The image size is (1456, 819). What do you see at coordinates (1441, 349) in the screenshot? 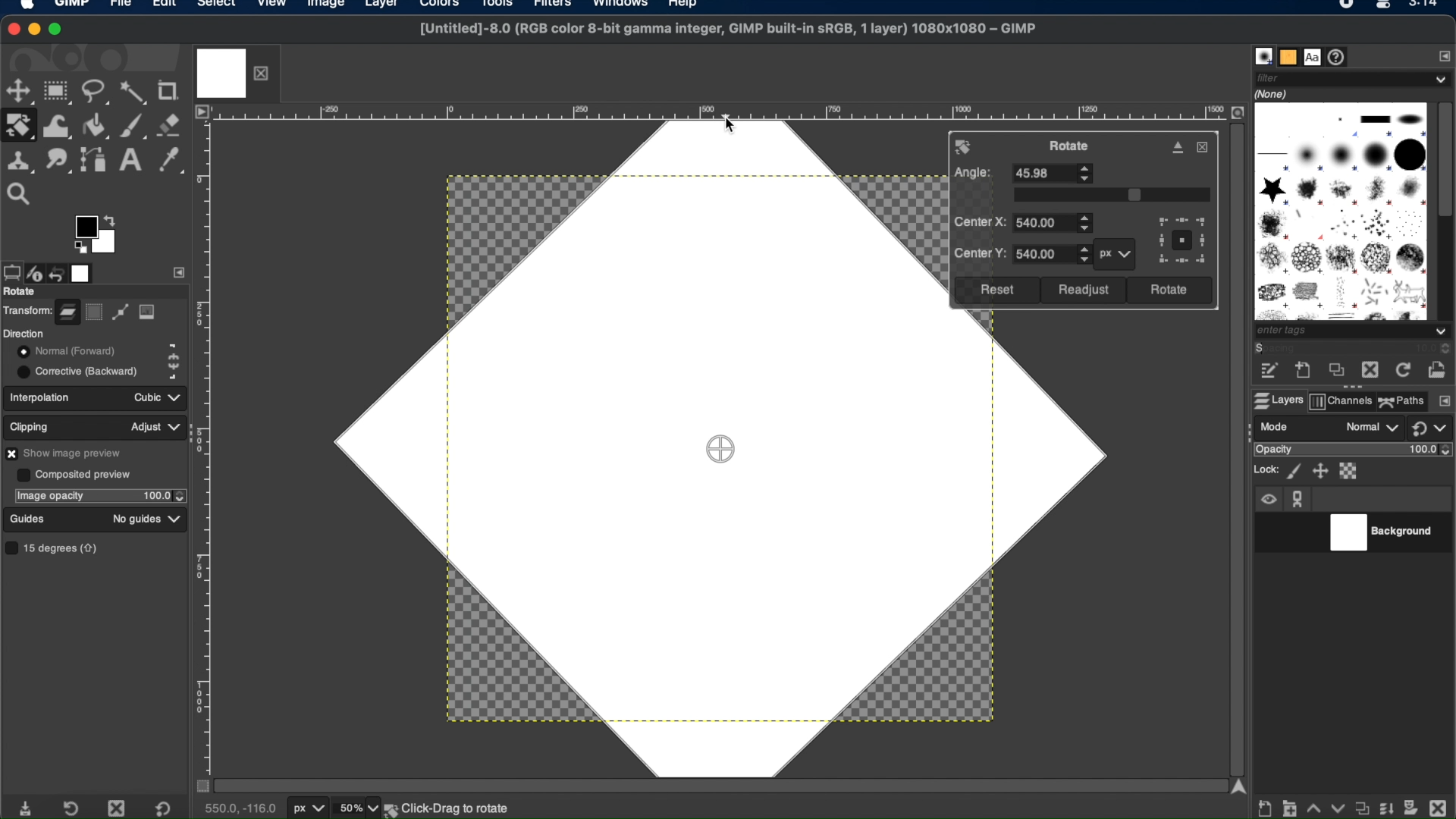
I see `spacing stepper buttons` at bounding box center [1441, 349].